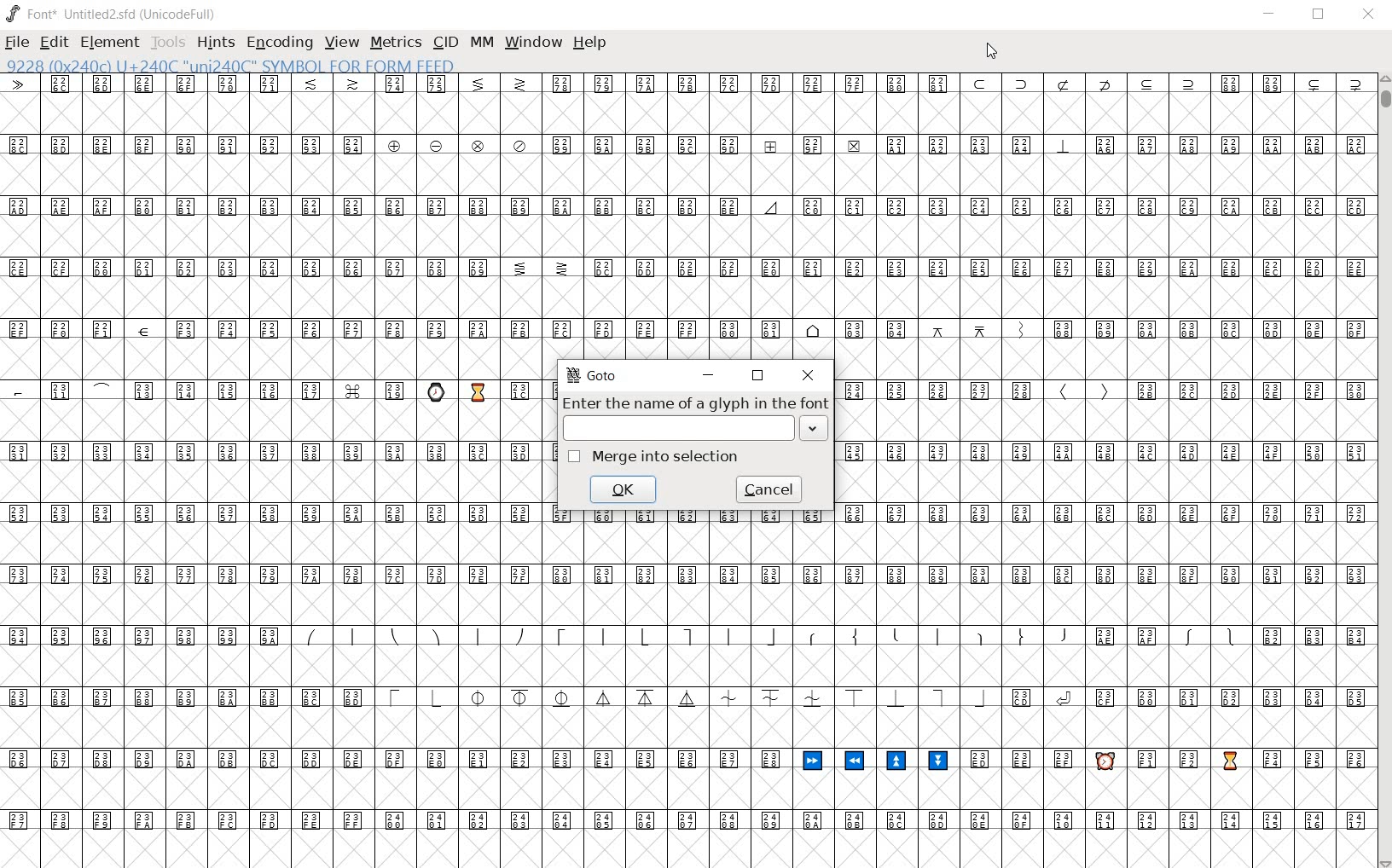 This screenshot has height=868, width=1392. What do you see at coordinates (757, 376) in the screenshot?
I see `restore` at bounding box center [757, 376].